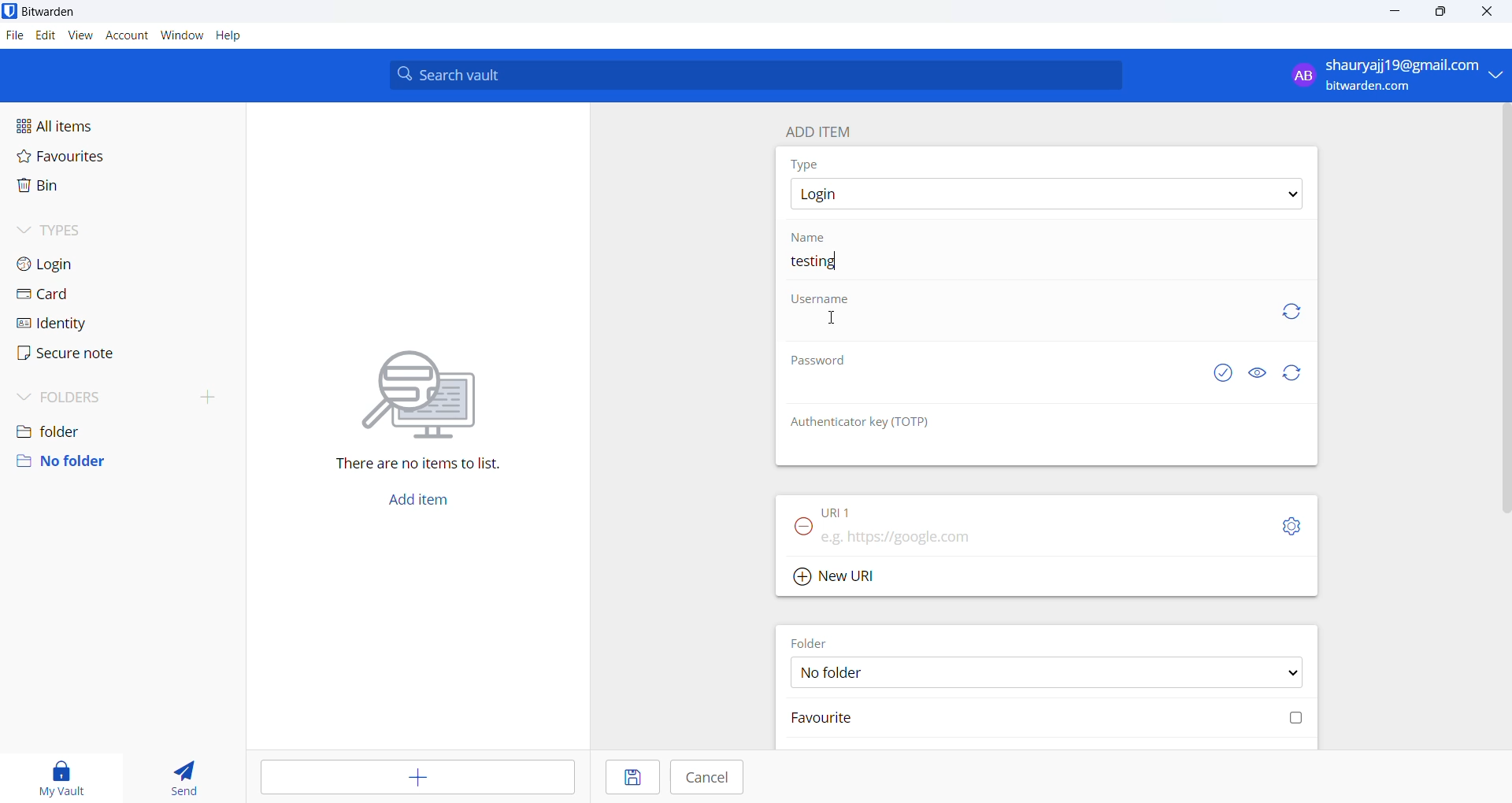  Describe the element at coordinates (82, 265) in the screenshot. I see `login` at that location.